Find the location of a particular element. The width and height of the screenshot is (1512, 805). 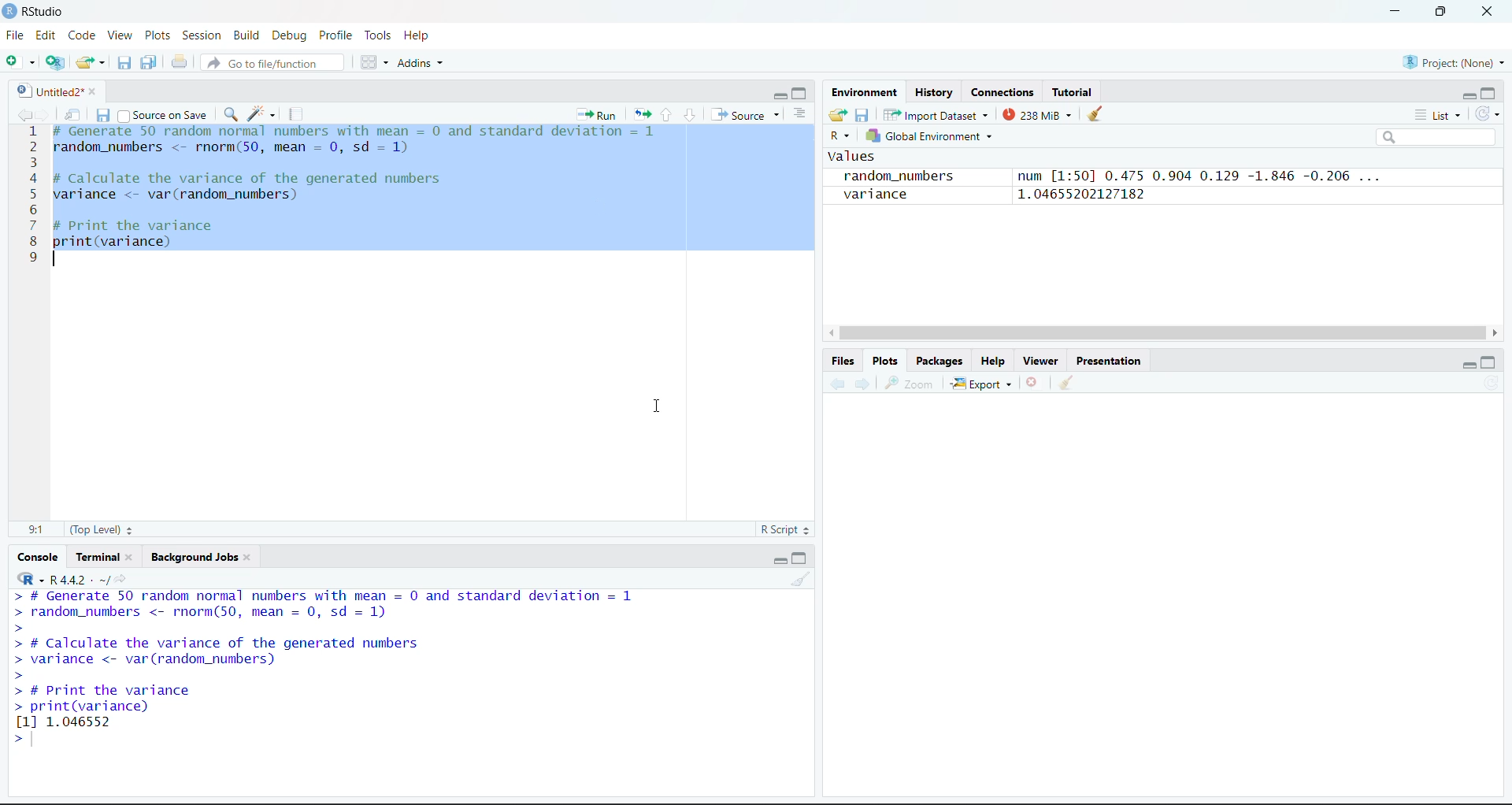

variance is located at coordinates (873, 195).